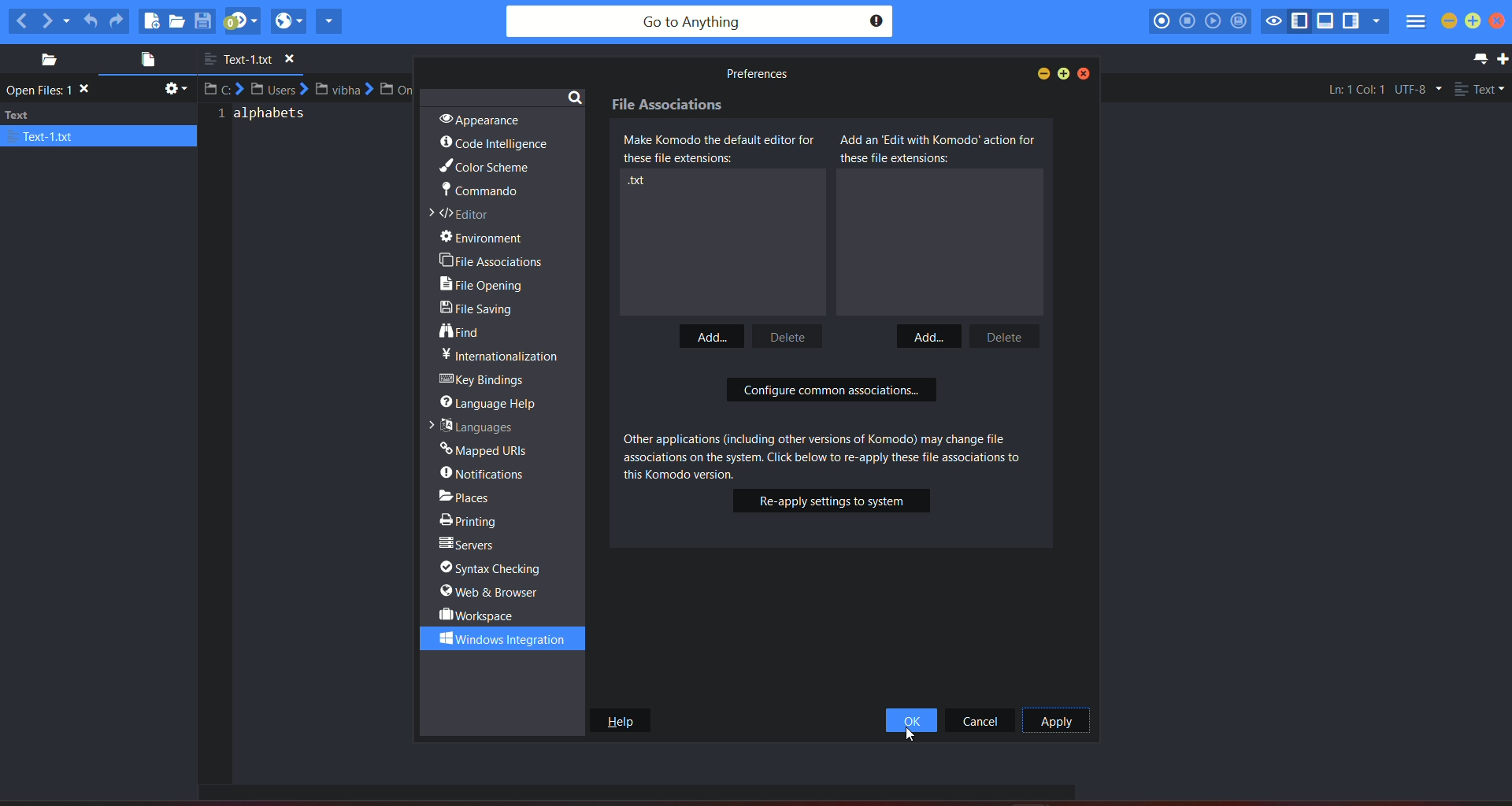 This screenshot has width=1512, height=806. What do you see at coordinates (498, 568) in the screenshot?
I see `syntax checking` at bounding box center [498, 568].